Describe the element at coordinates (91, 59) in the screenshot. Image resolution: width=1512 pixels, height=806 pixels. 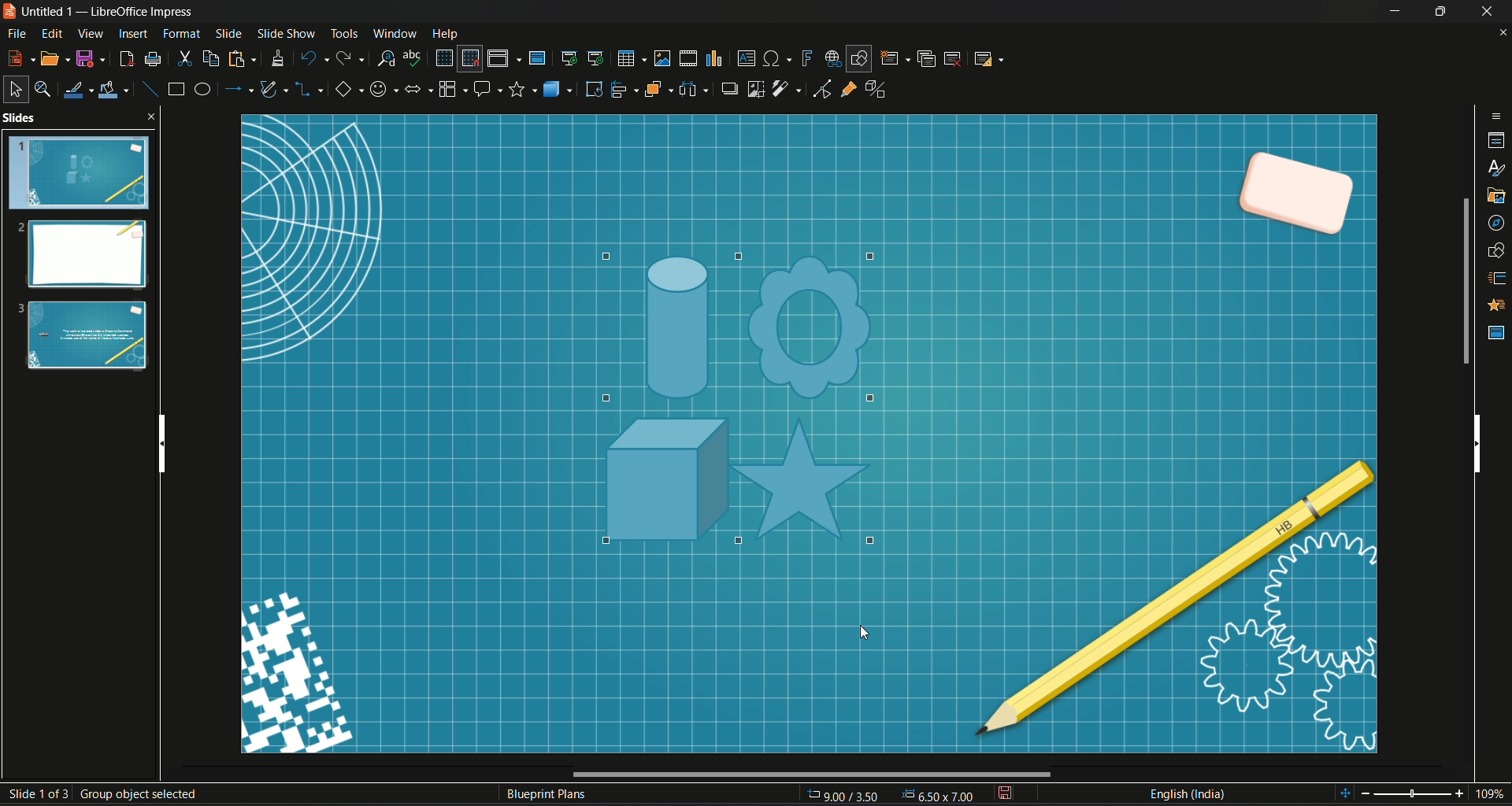
I see `Save` at that location.